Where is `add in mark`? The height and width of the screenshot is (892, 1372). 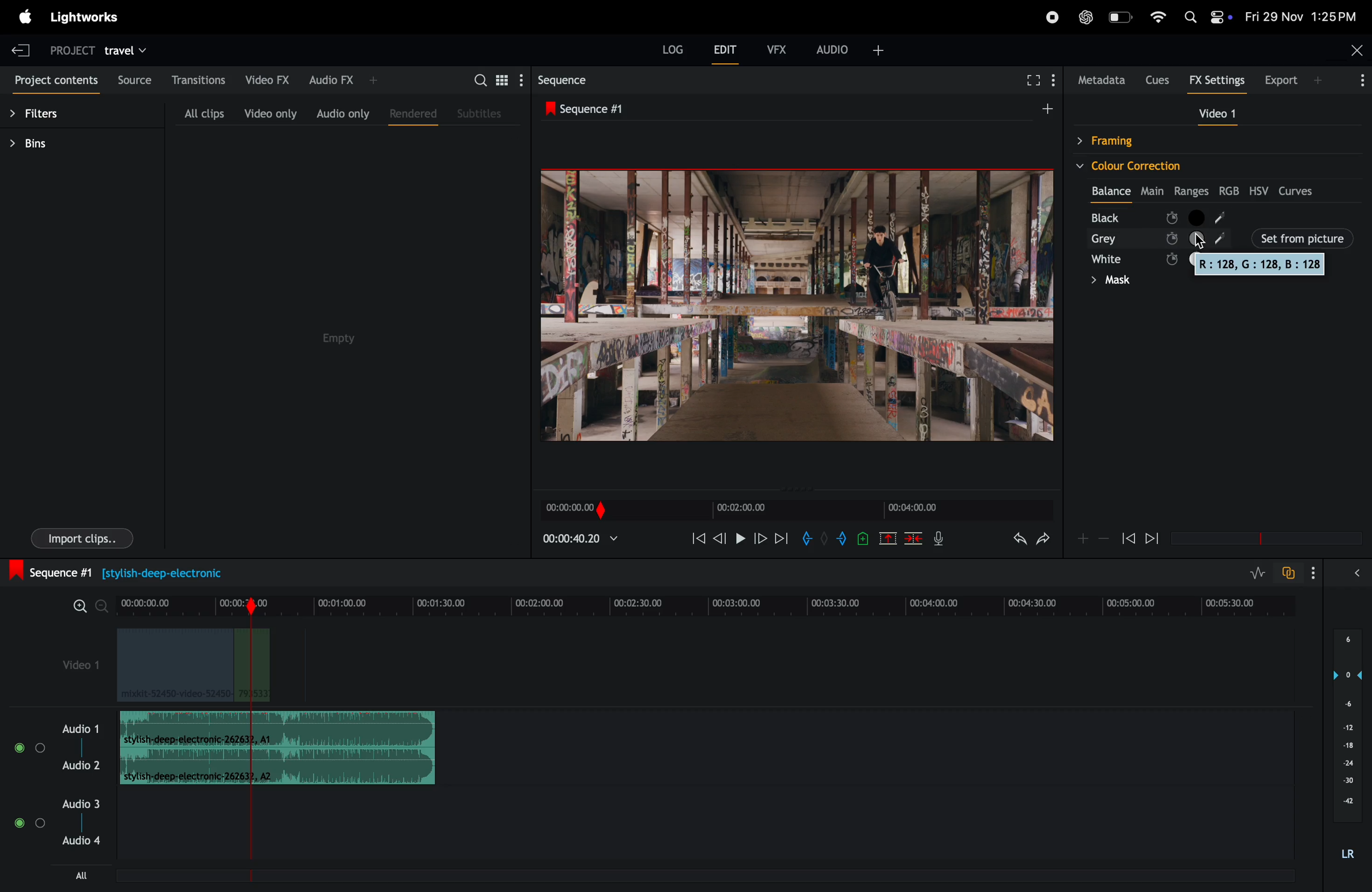
add in mark is located at coordinates (806, 538).